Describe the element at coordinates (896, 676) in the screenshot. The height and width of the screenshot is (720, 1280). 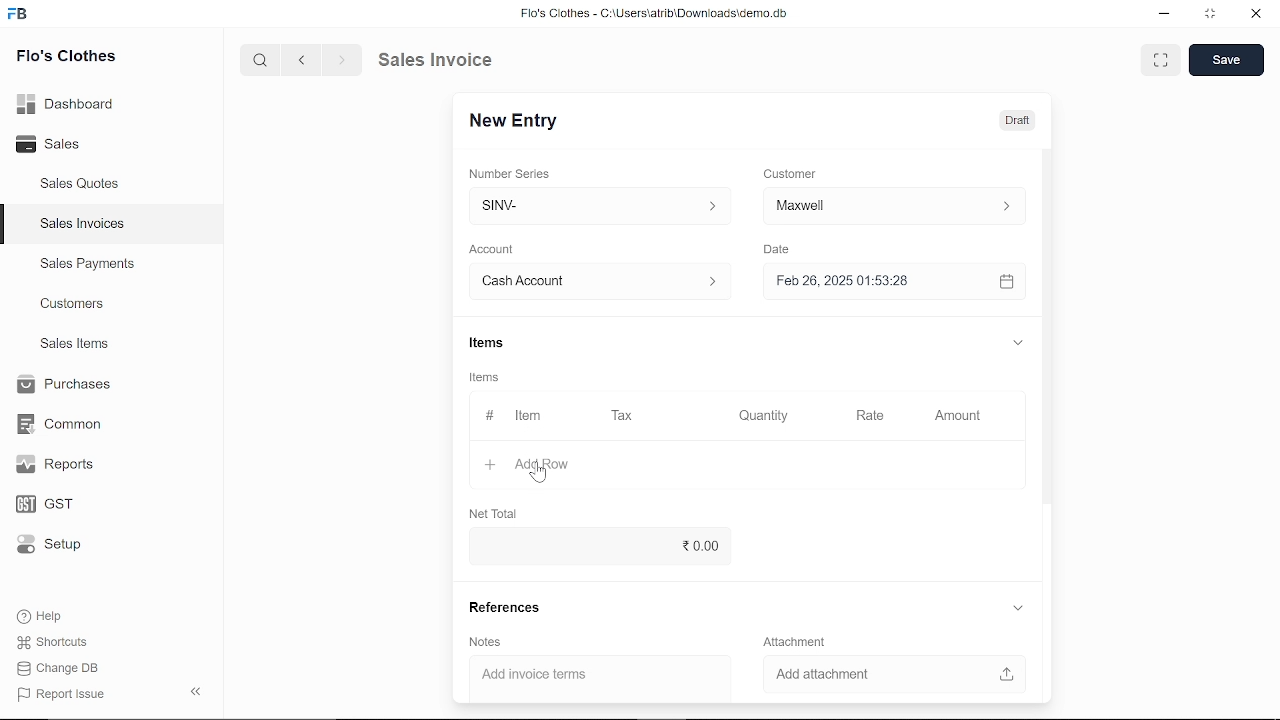
I see `Add attachment` at that location.